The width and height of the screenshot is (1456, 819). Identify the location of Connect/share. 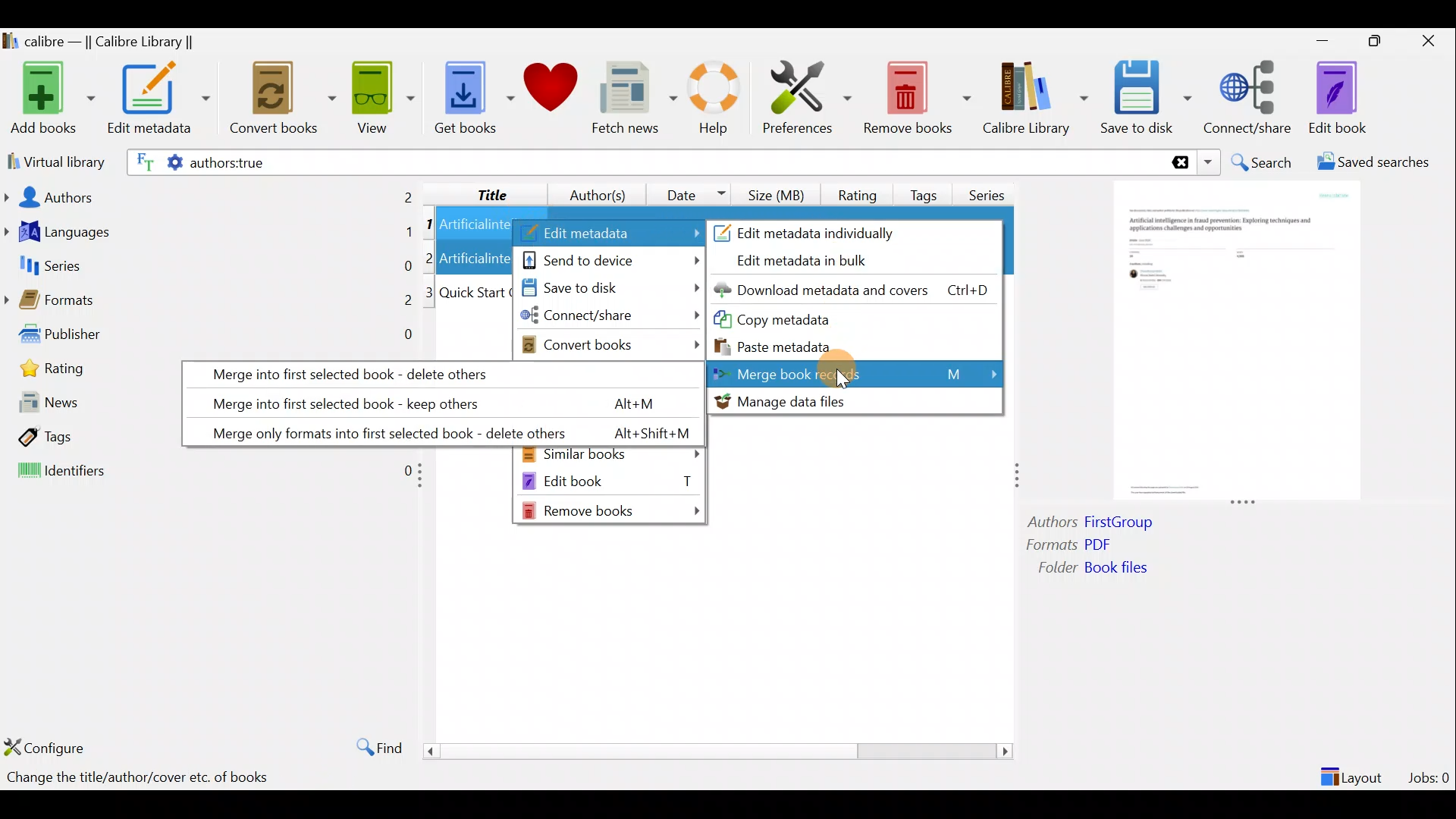
(1250, 95).